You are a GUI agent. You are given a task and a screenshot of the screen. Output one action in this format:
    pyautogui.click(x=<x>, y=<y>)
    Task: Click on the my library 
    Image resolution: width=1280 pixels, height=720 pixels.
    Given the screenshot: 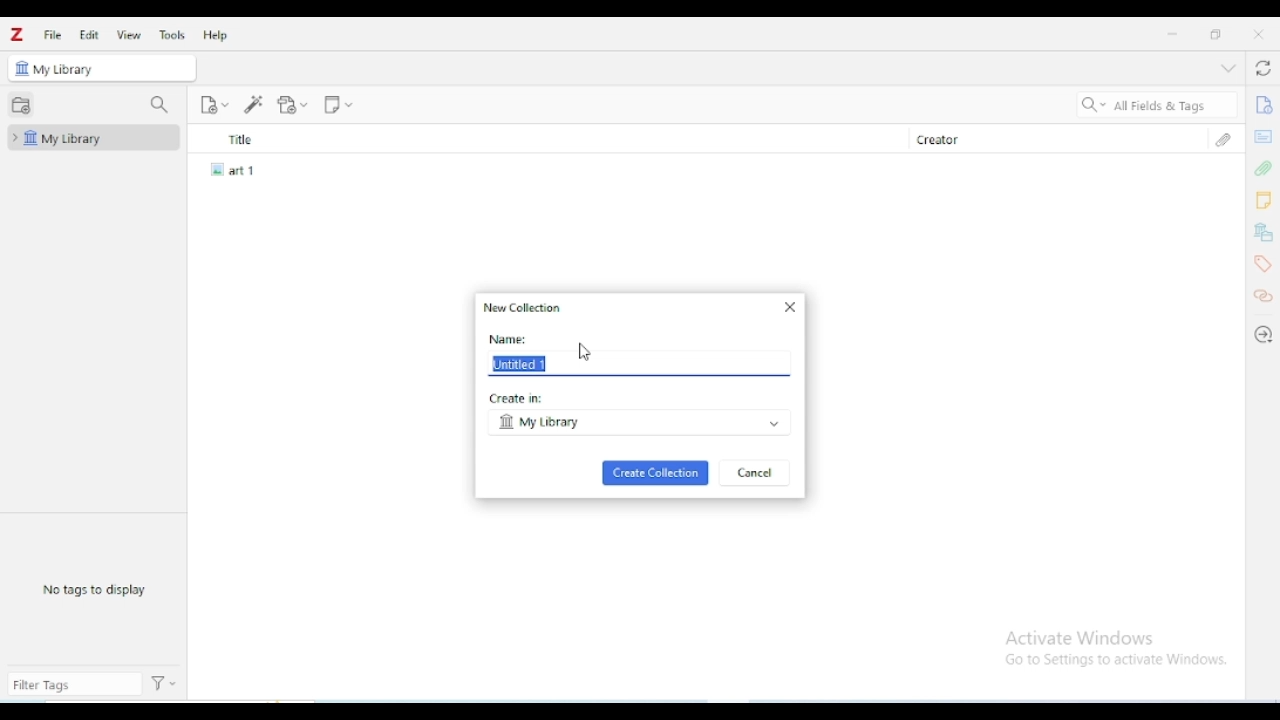 What is the action you would take?
    pyautogui.click(x=637, y=423)
    